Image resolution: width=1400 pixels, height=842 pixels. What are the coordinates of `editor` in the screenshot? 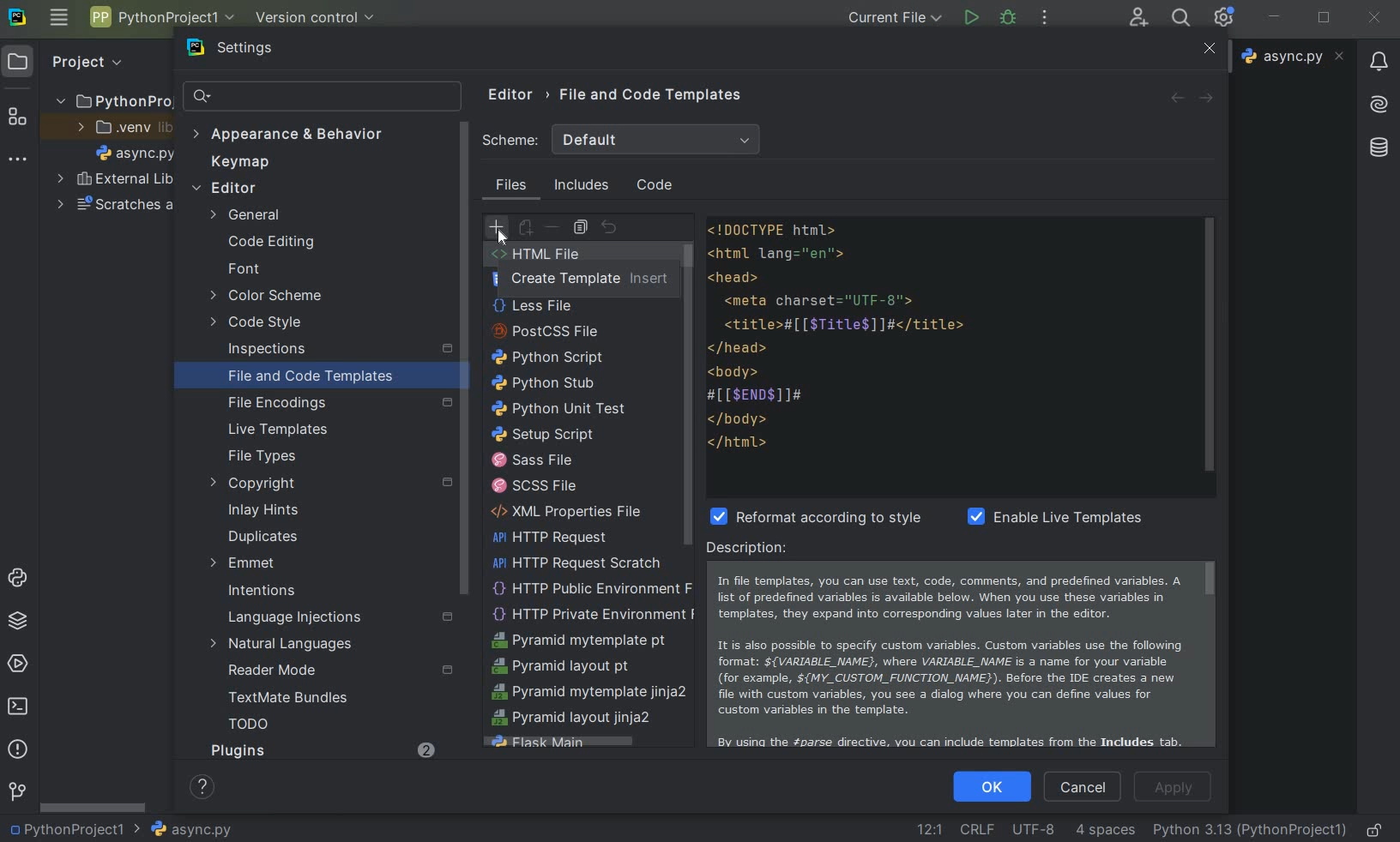 It's located at (511, 96).